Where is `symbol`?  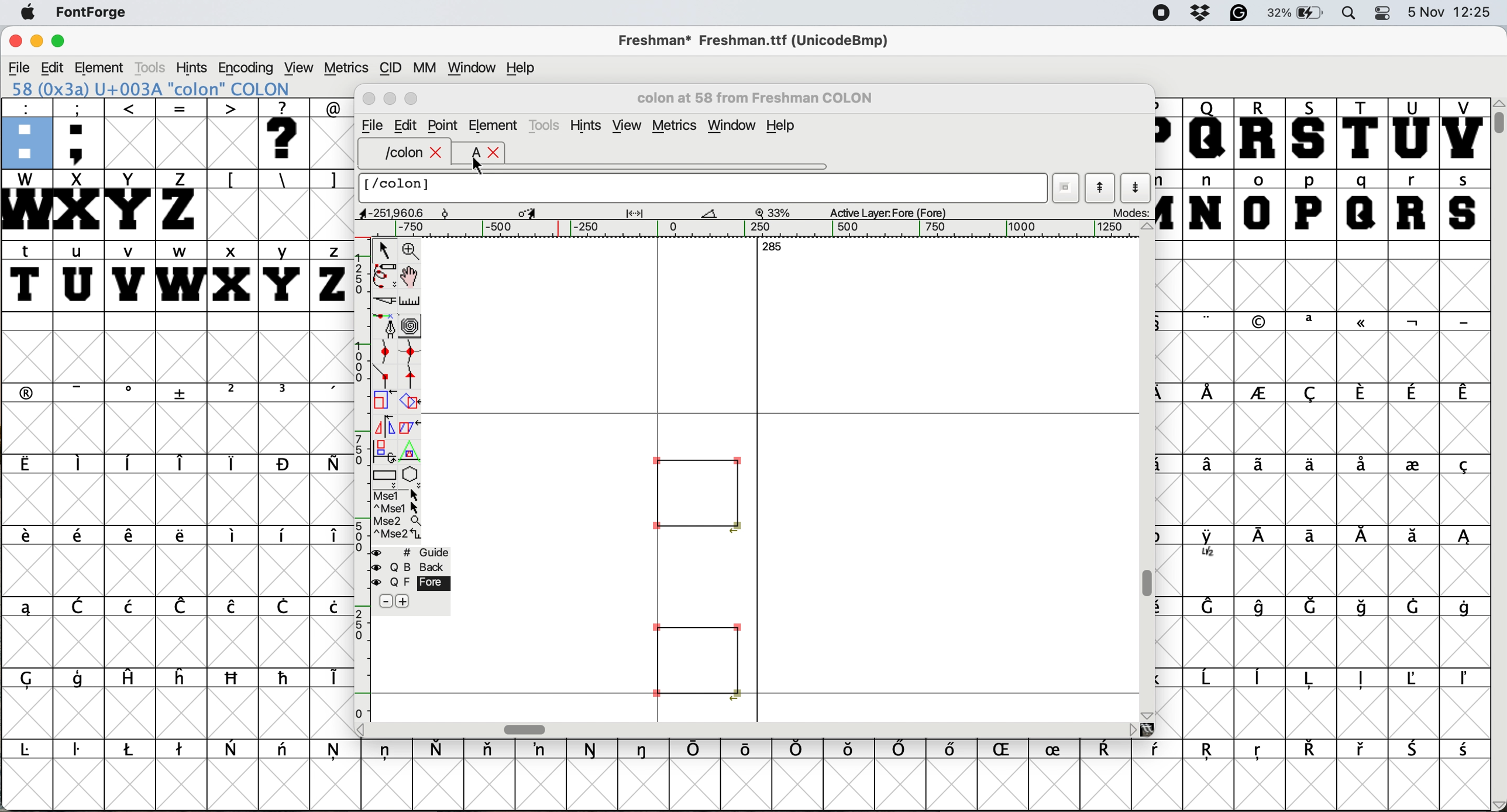
symbol is located at coordinates (329, 678).